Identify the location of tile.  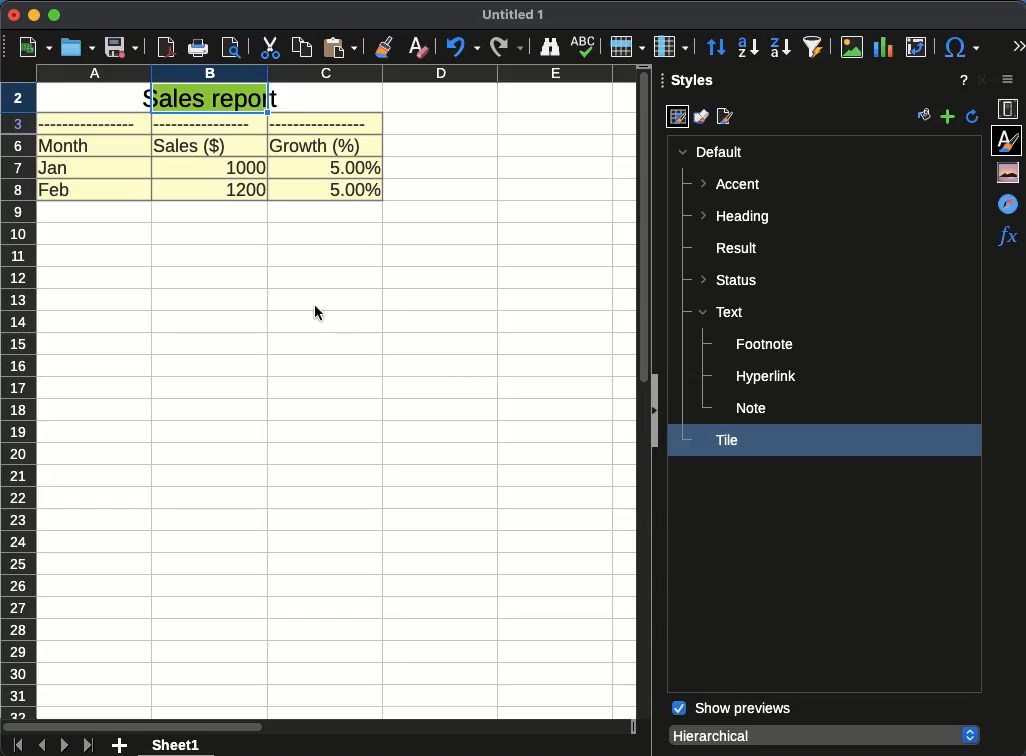
(726, 440).